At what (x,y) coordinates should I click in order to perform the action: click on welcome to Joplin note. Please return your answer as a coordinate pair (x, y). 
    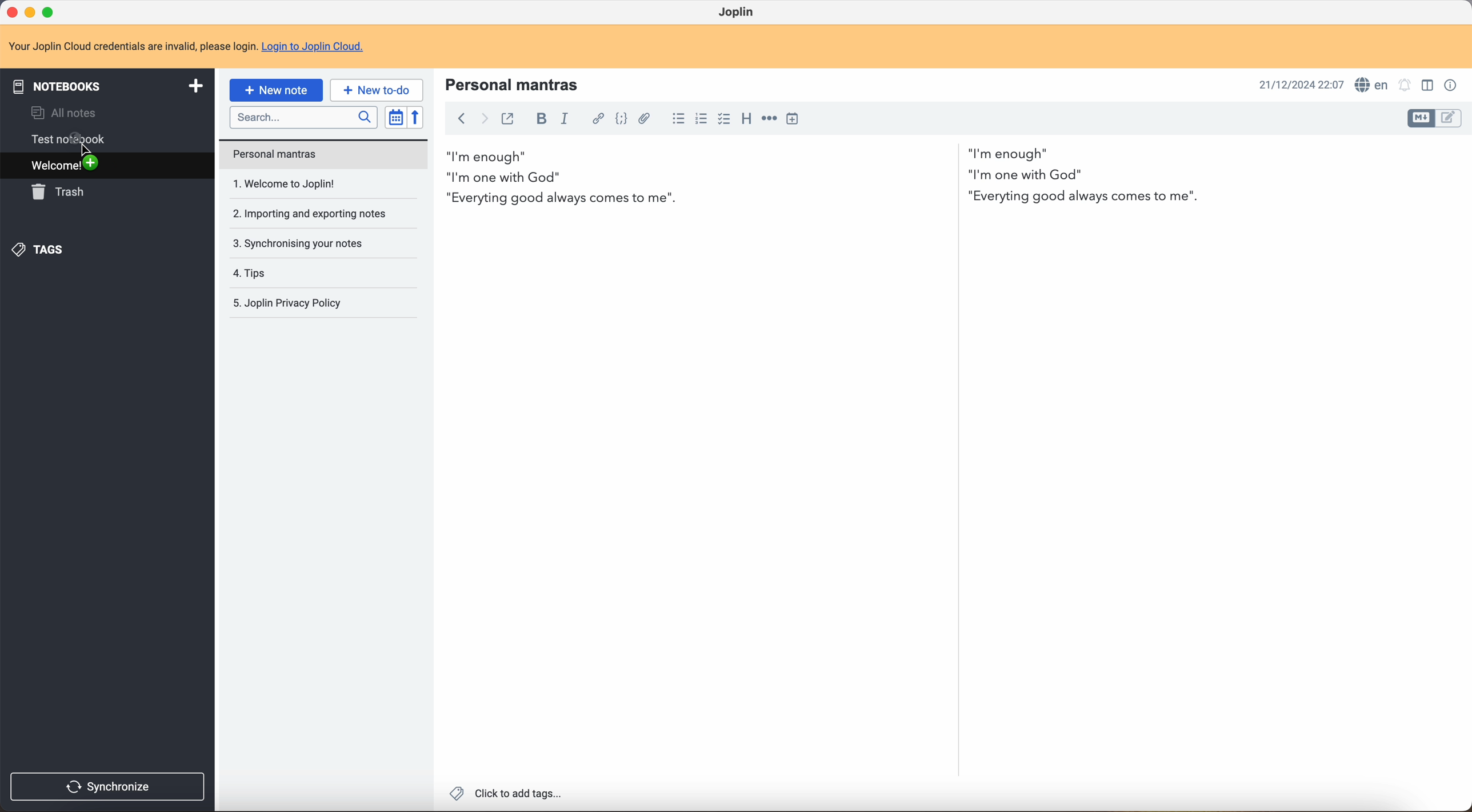
    Looking at the image, I should click on (301, 186).